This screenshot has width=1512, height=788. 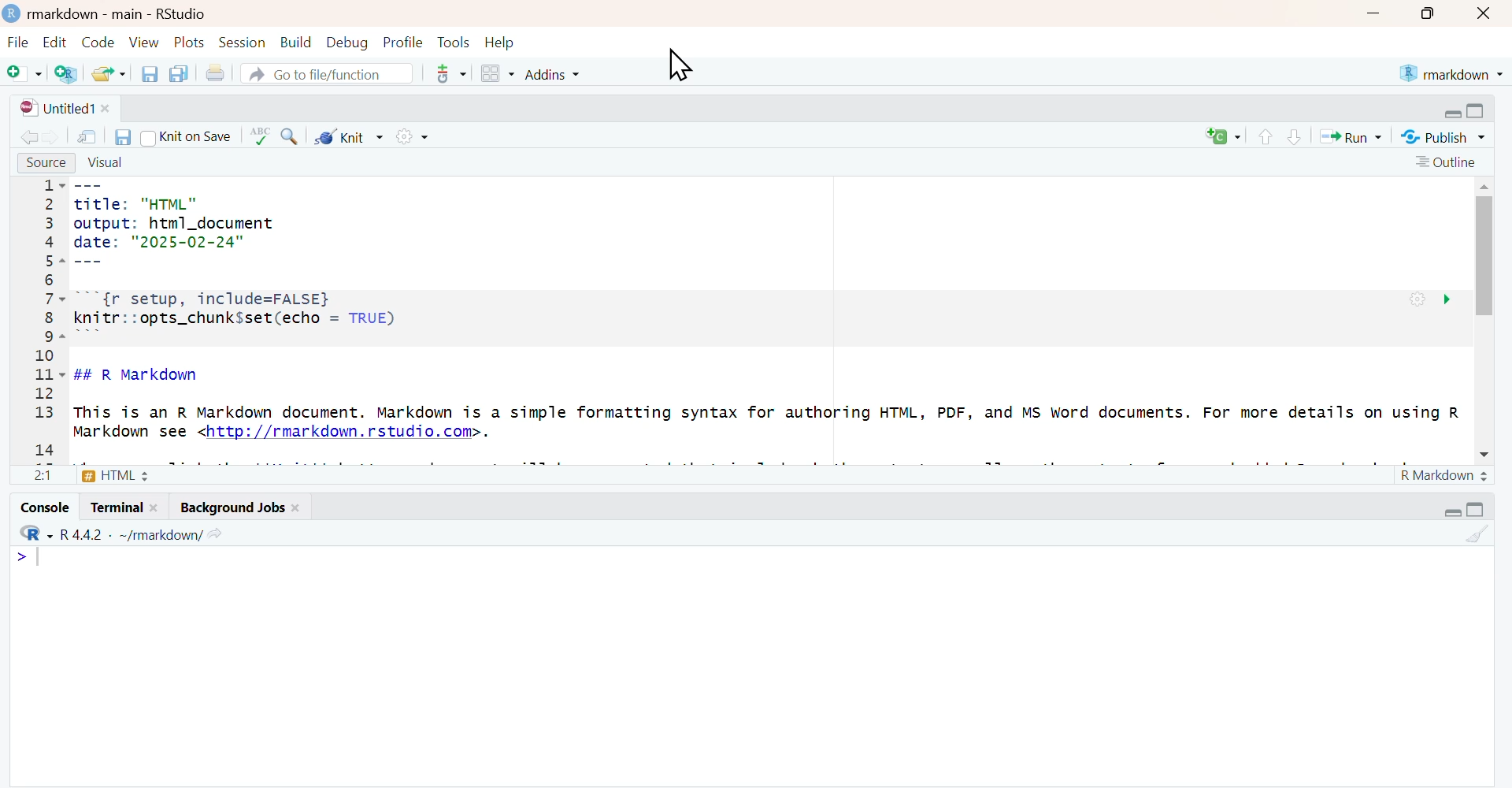 What do you see at coordinates (327, 72) in the screenshot?
I see `Go to file/function` at bounding box center [327, 72].